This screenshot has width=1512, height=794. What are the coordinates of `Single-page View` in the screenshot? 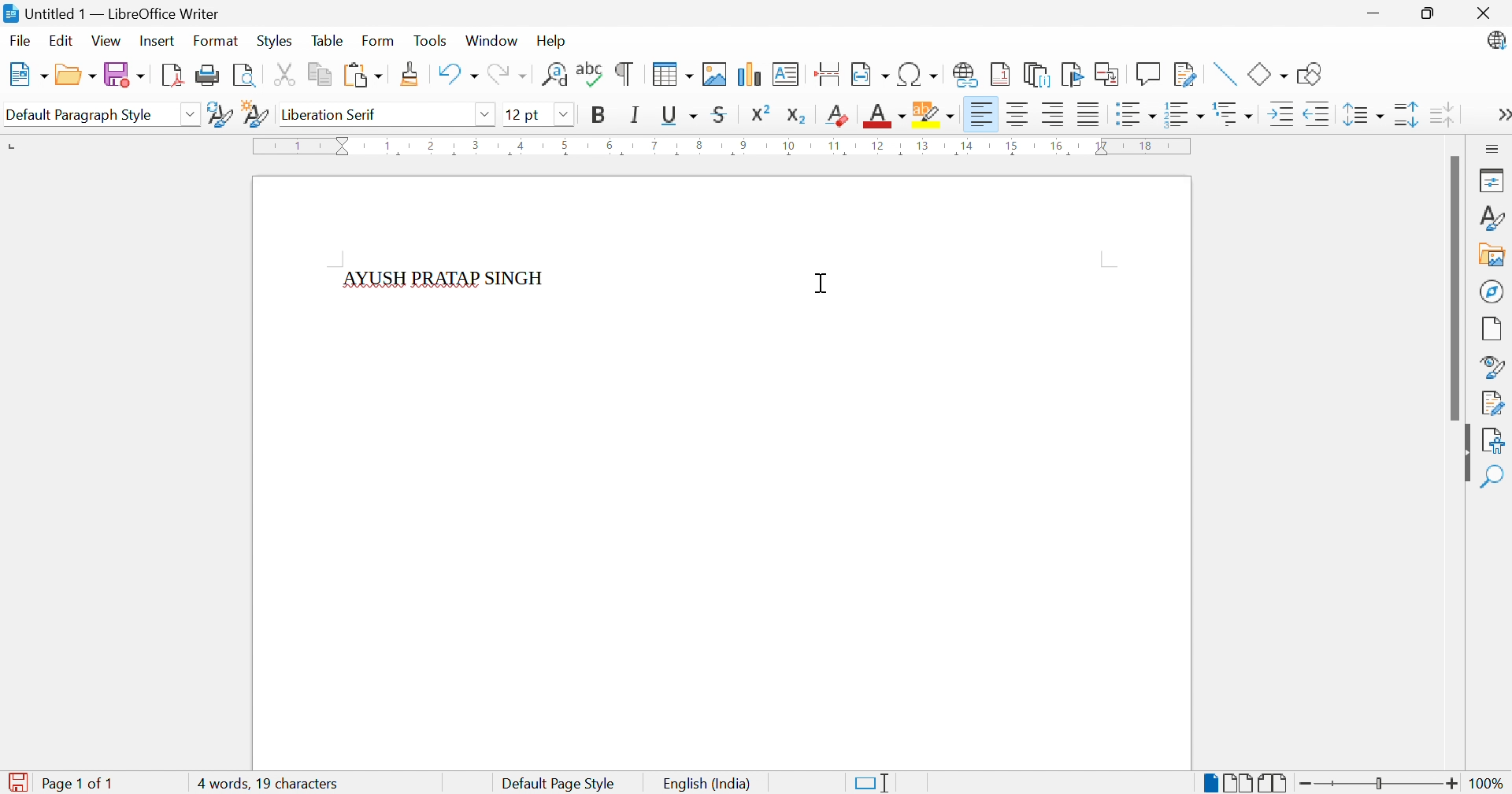 It's located at (1210, 783).